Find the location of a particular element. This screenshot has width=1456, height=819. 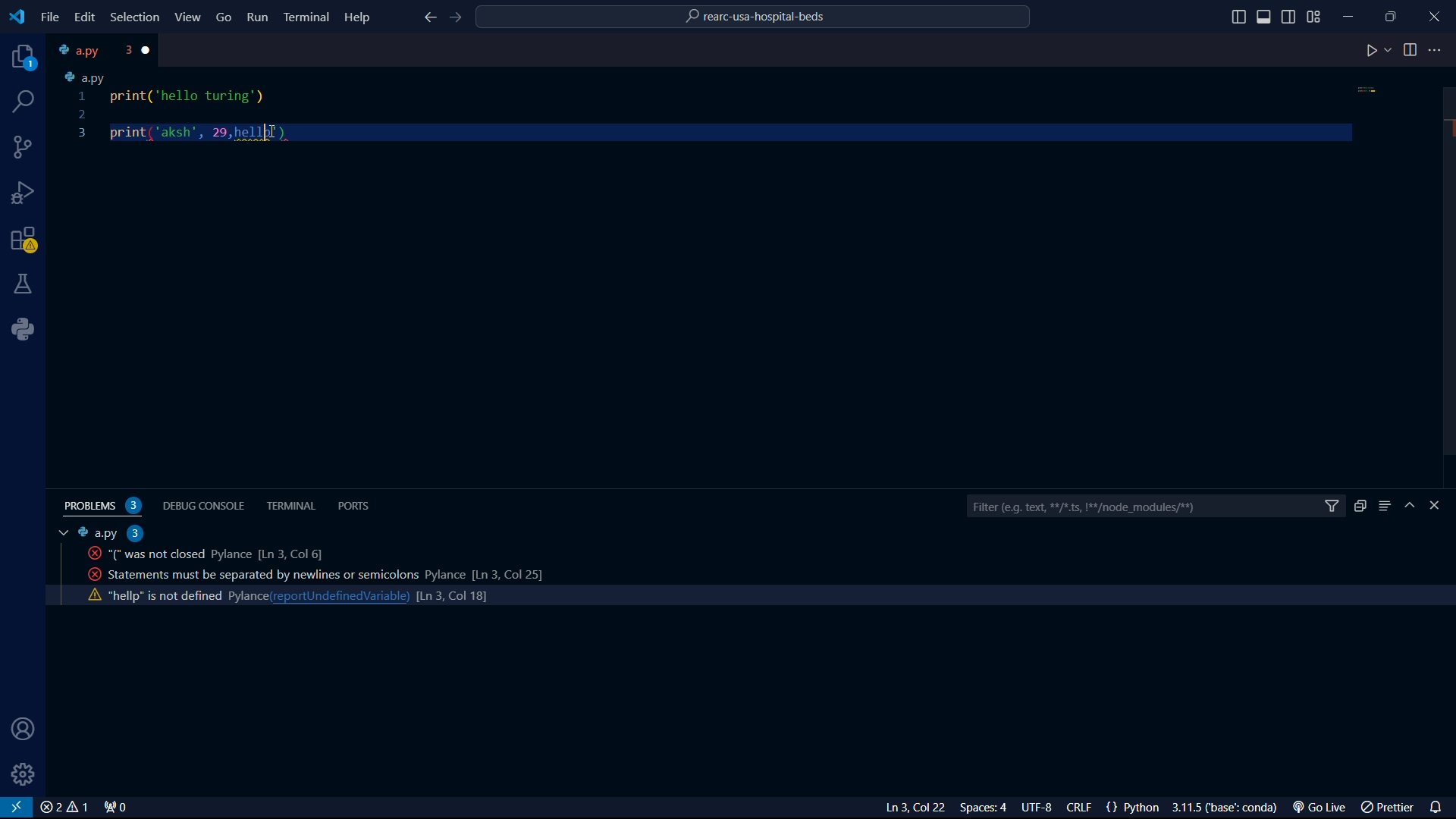

terminal is located at coordinates (292, 506).